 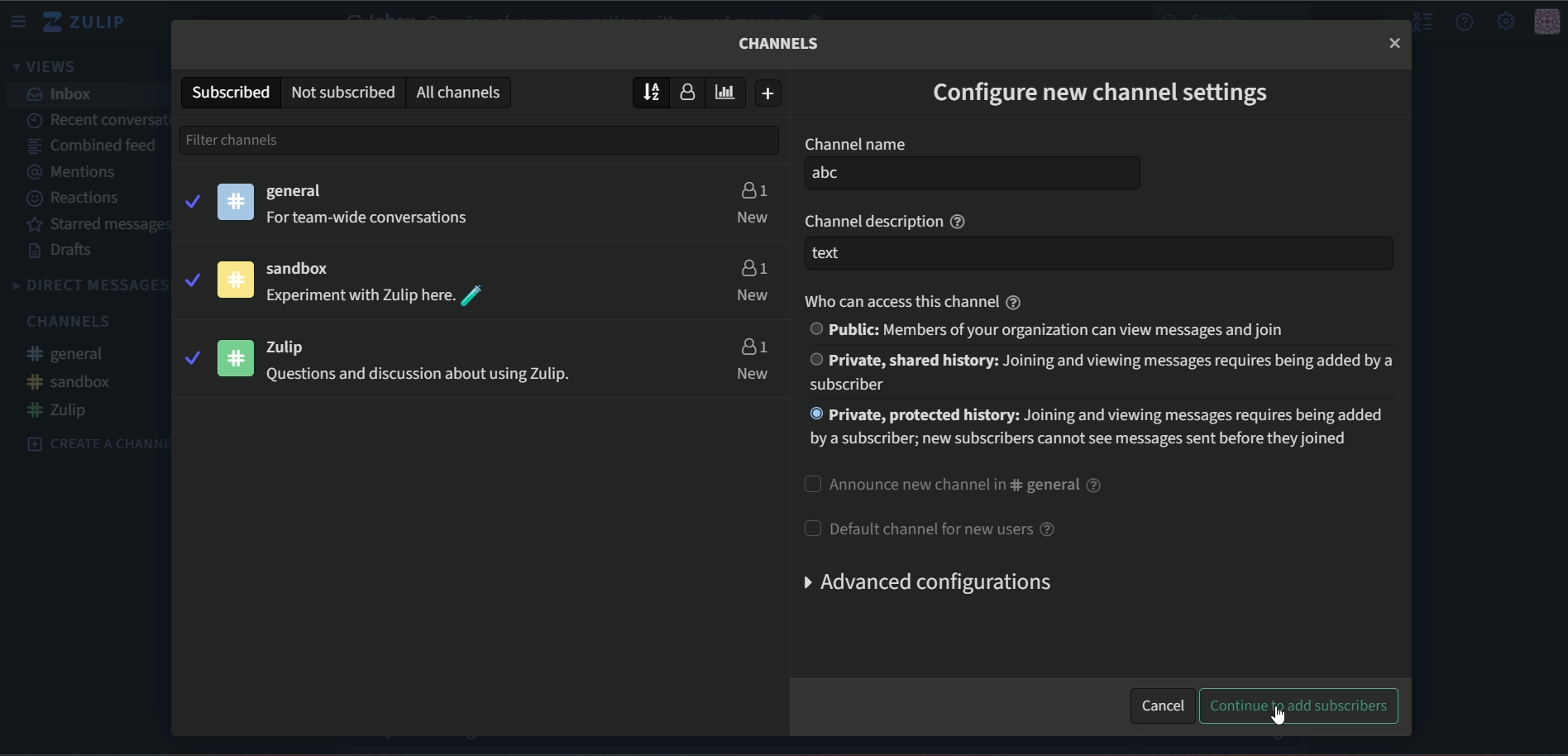 I want to click on not subscribed, so click(x=342, y=91).